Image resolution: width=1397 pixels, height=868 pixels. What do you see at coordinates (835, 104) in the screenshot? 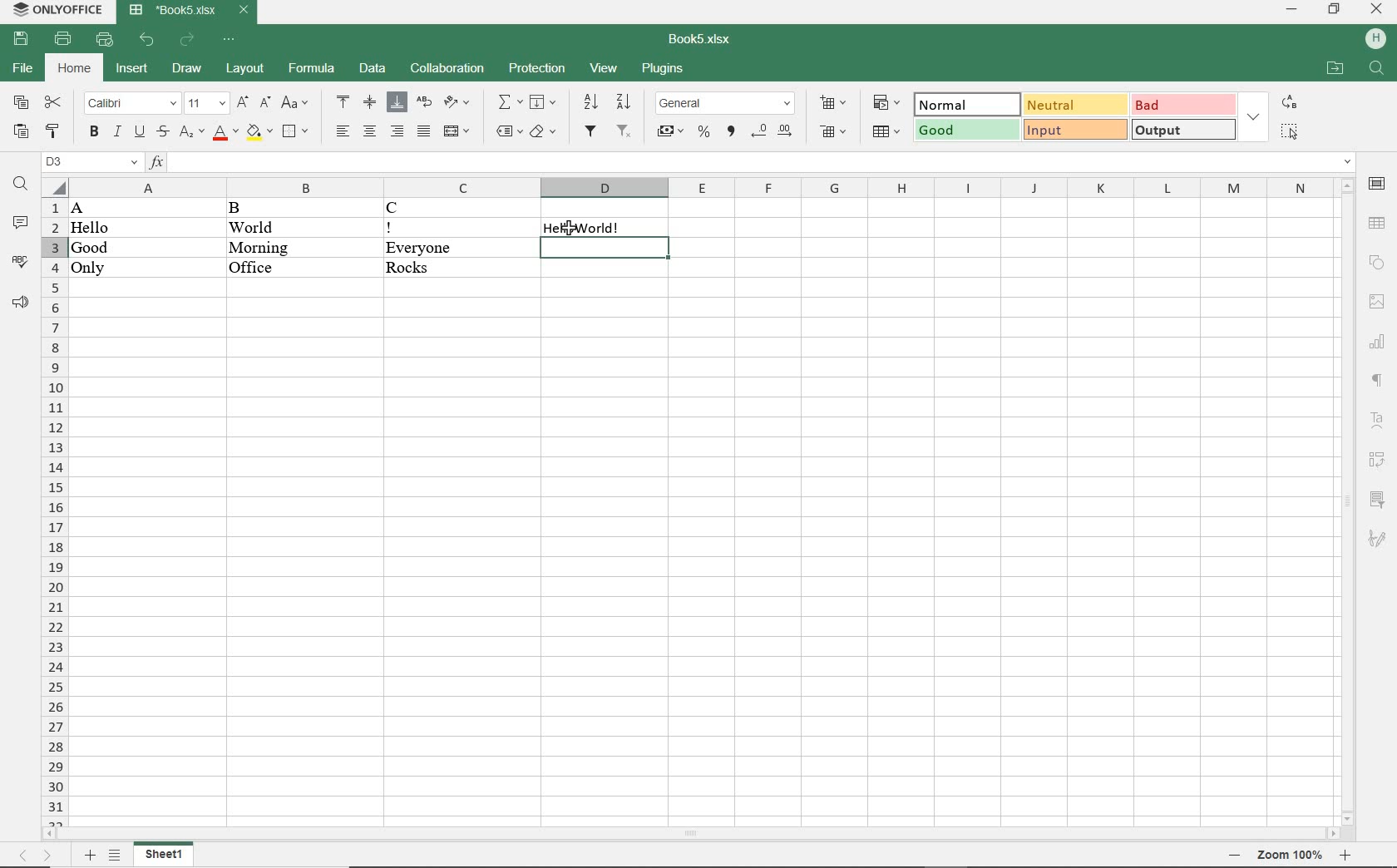
I see `INSERT CELLS` at bounding box center [835, 104].